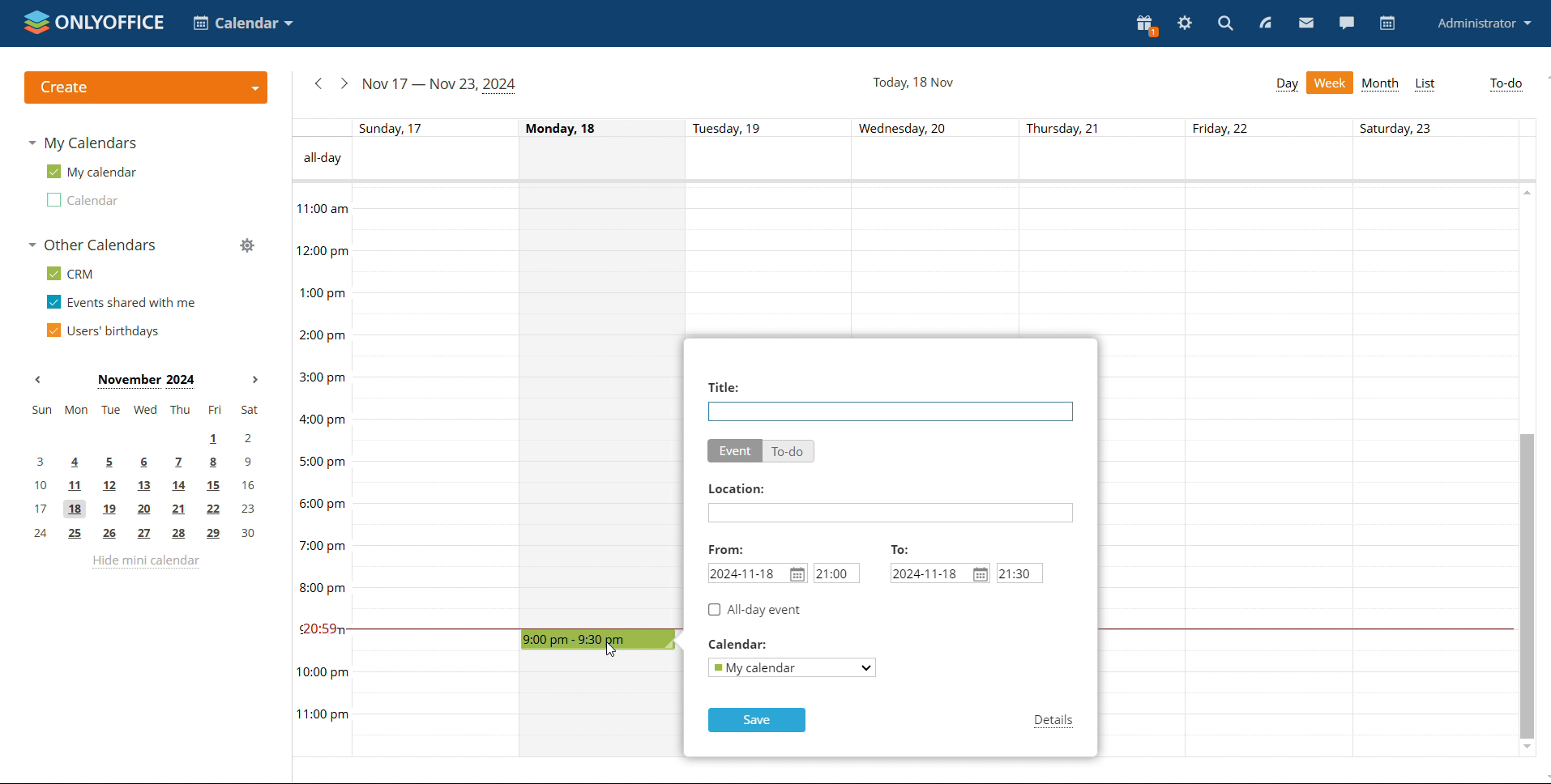 This screenshot has width=1551, height=784. Describe the element at coordinates (1485, 23) in the screenshot. I see `profile` at that location.